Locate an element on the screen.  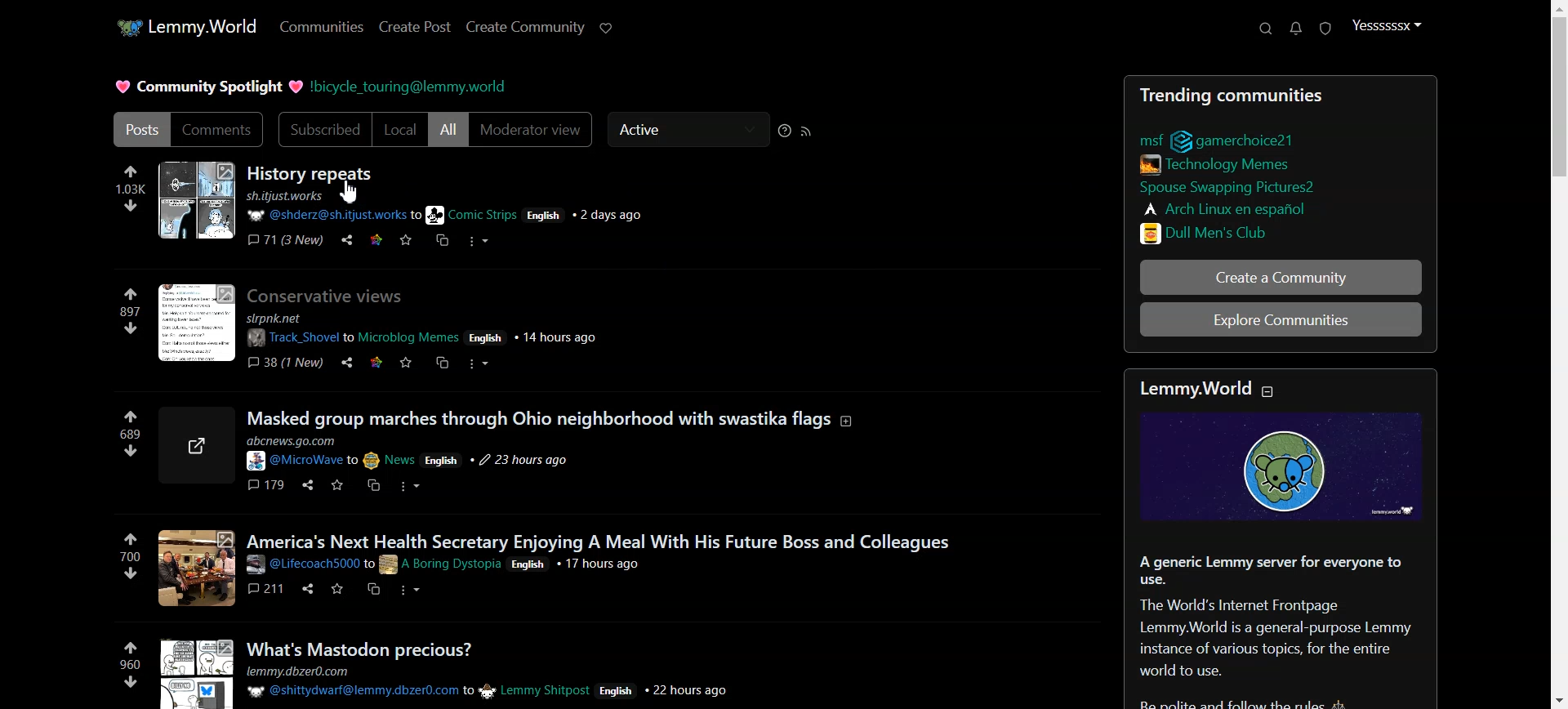
More is located at coordinates (413, 594).